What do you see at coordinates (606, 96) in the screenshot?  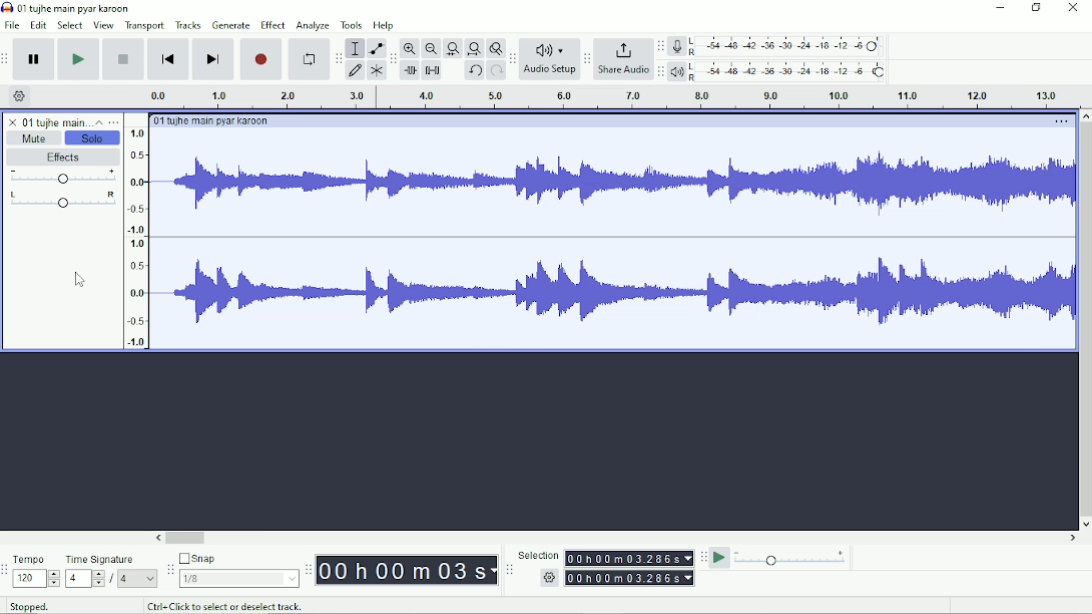 I see `Audio duration` at bounding box center [606, 96].